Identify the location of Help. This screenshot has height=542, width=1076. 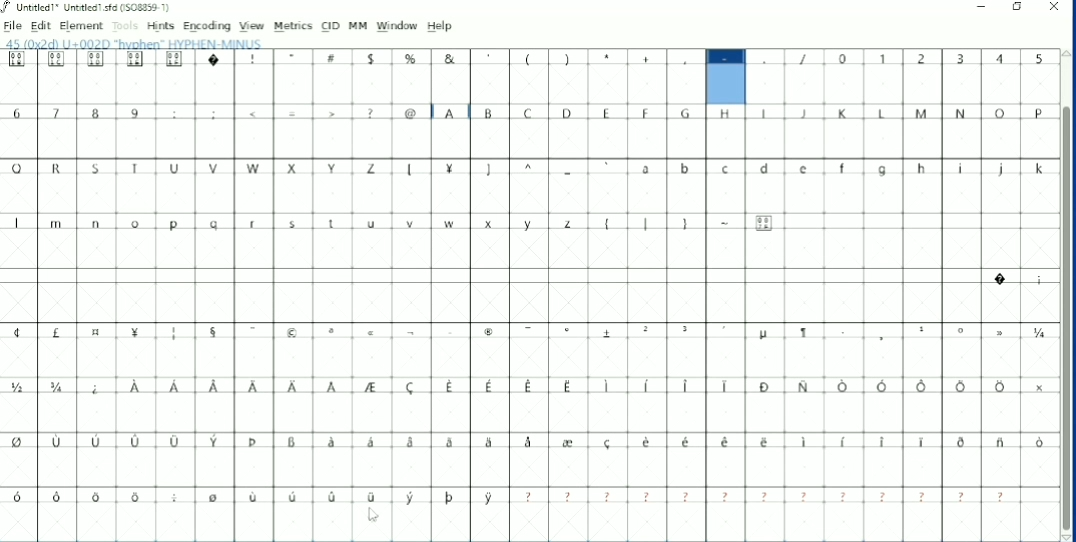
(441, 26).